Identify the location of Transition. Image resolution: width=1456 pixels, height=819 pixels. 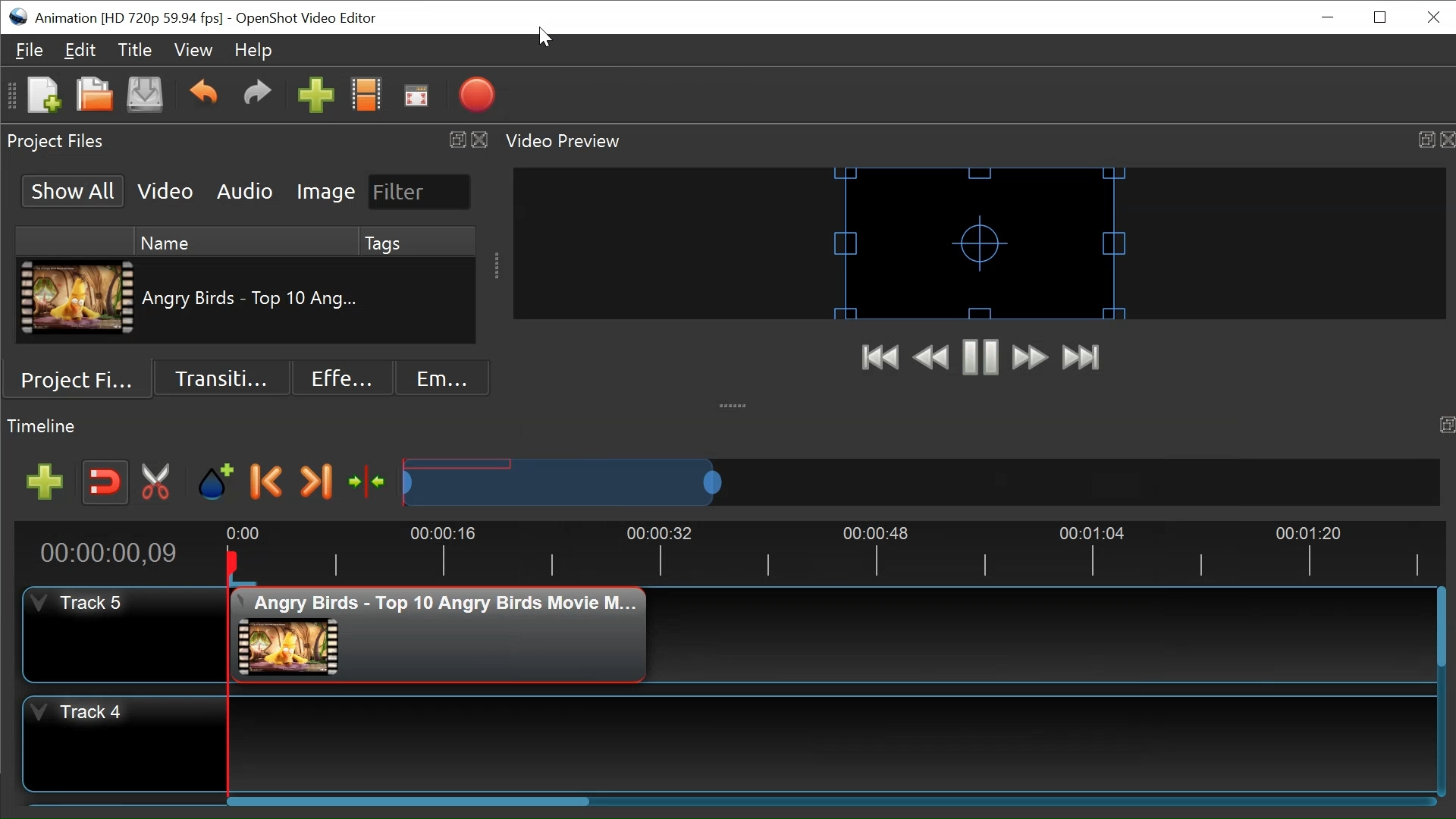
(219, 379).